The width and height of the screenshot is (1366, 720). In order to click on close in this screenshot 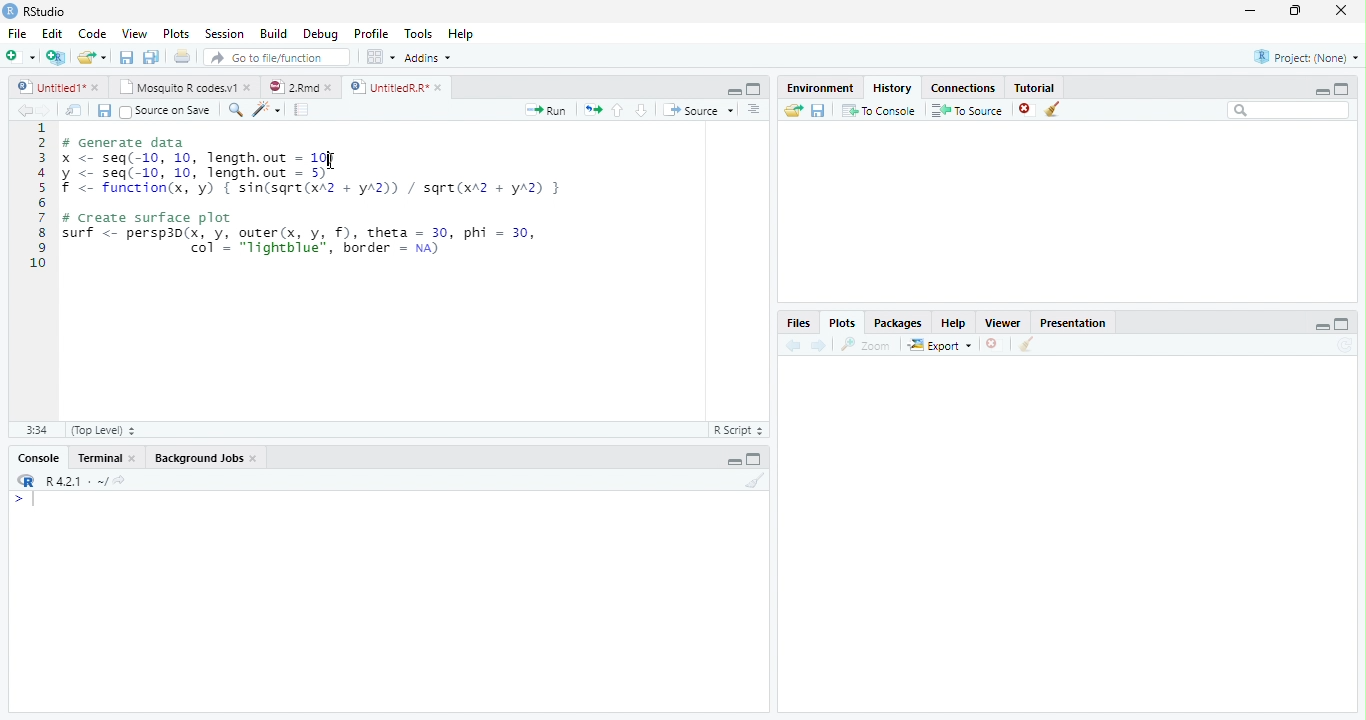, I will do `click(438, 87)`.